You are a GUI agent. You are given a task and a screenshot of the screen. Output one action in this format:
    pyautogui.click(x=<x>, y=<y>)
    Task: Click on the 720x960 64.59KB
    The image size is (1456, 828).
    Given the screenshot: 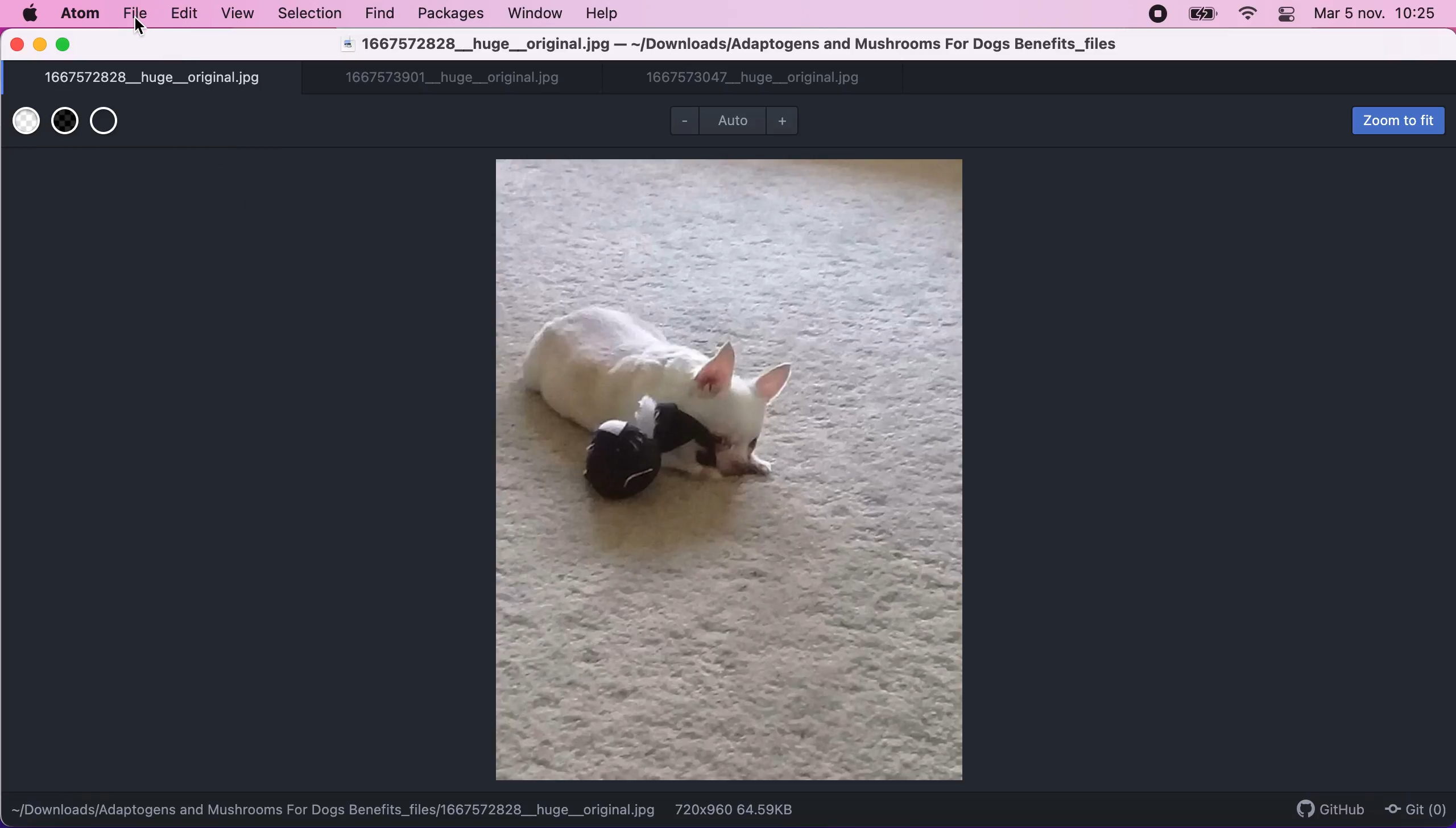 What is the action you would take?
    pyautogui.click(x=735, y=810)
    